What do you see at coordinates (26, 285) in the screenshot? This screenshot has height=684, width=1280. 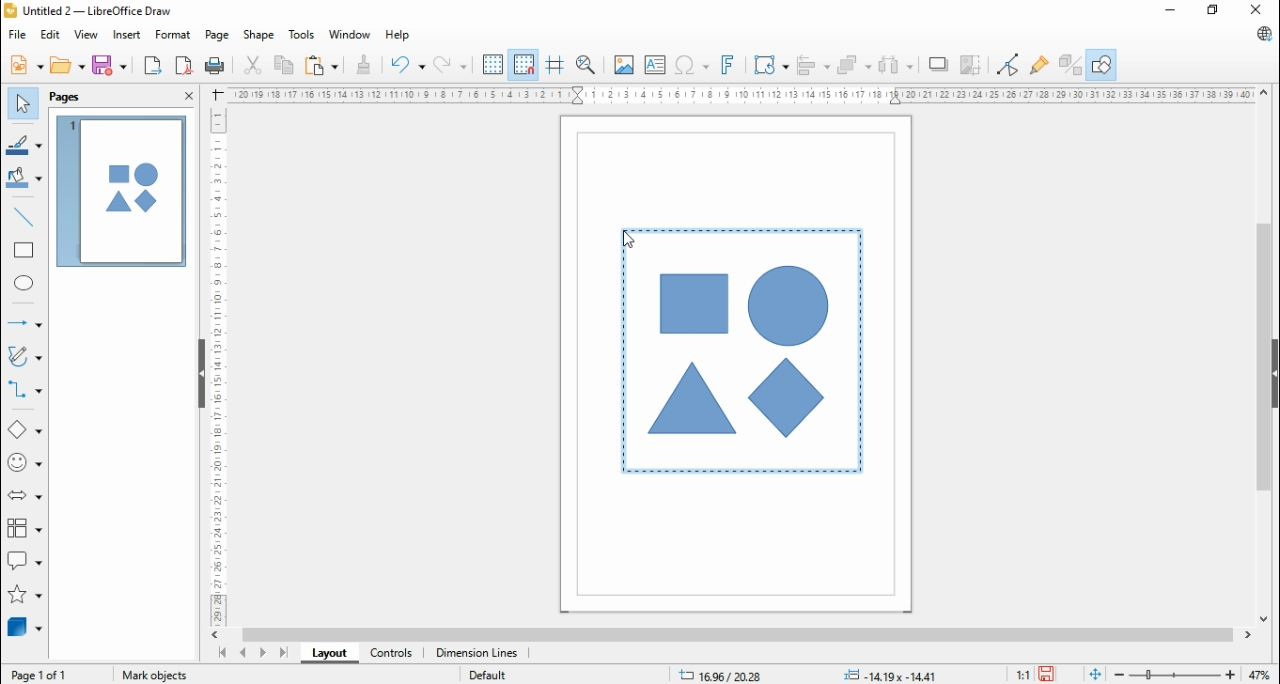 I see `ellipse` at bounding box center [26, 285].